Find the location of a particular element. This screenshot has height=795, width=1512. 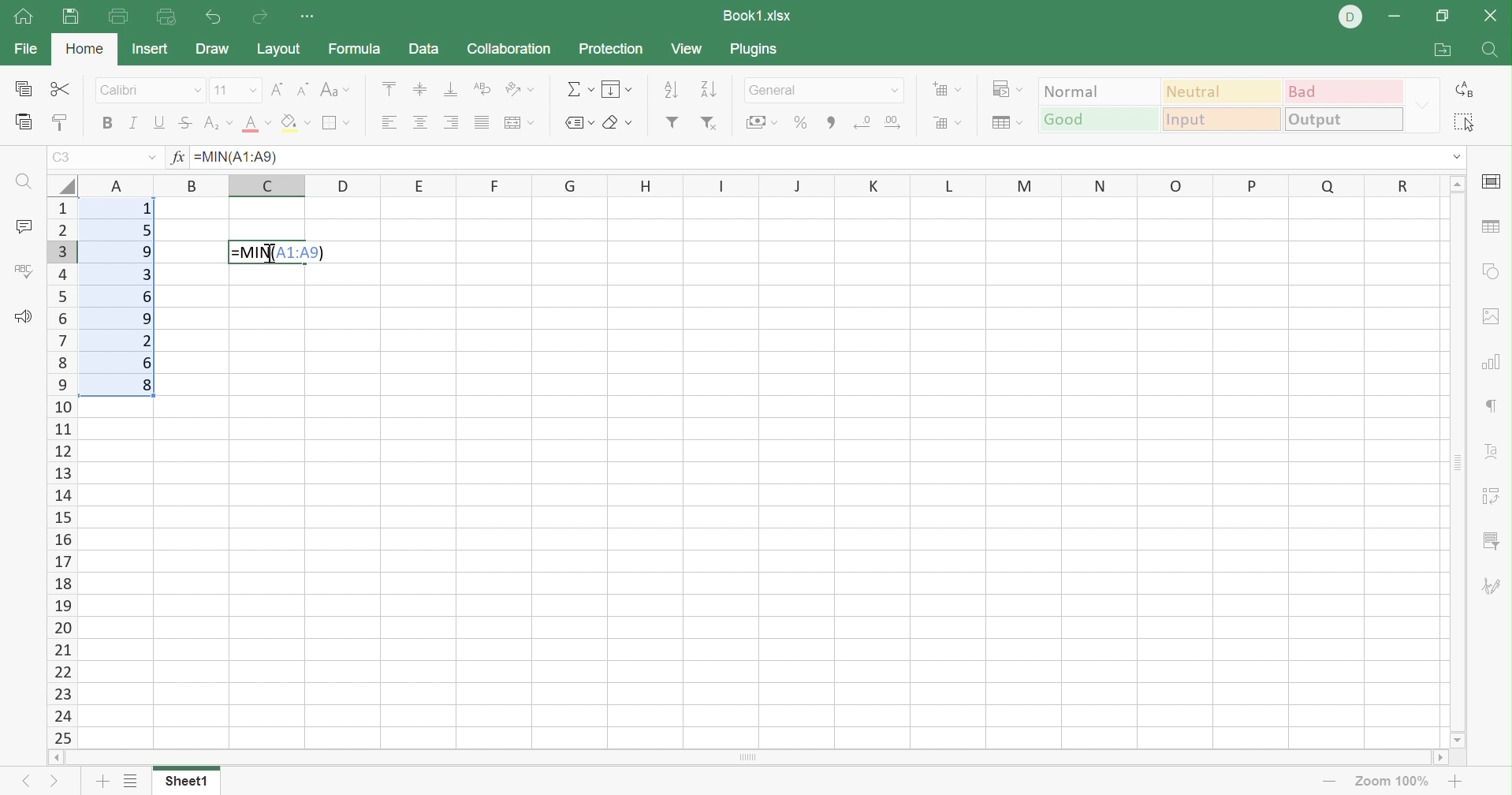

DELL is located at coordinates (1348, 17).